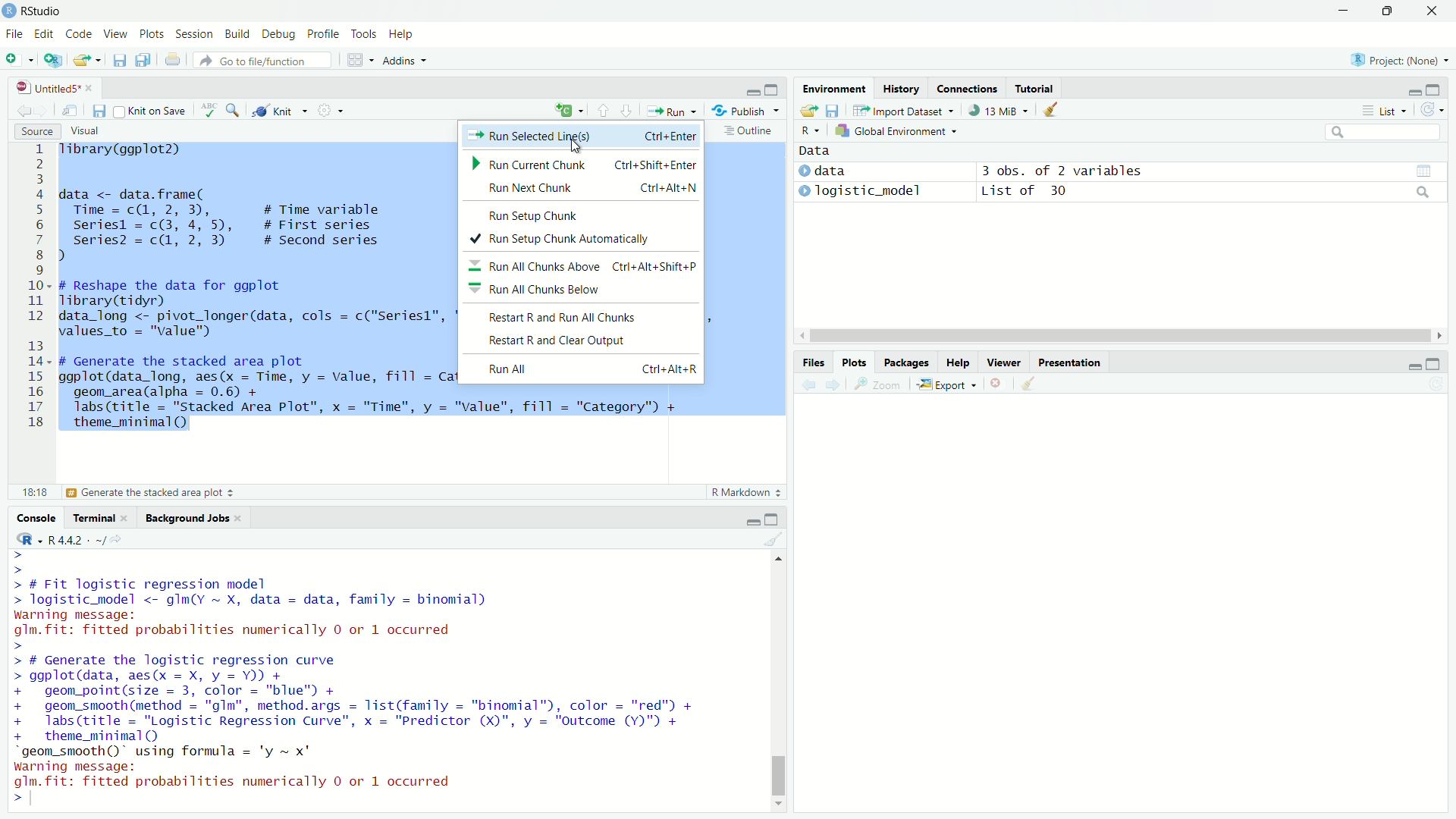  Describe the element at coordinates (950, 385) in the screenshot. I see `Export ` at that location.